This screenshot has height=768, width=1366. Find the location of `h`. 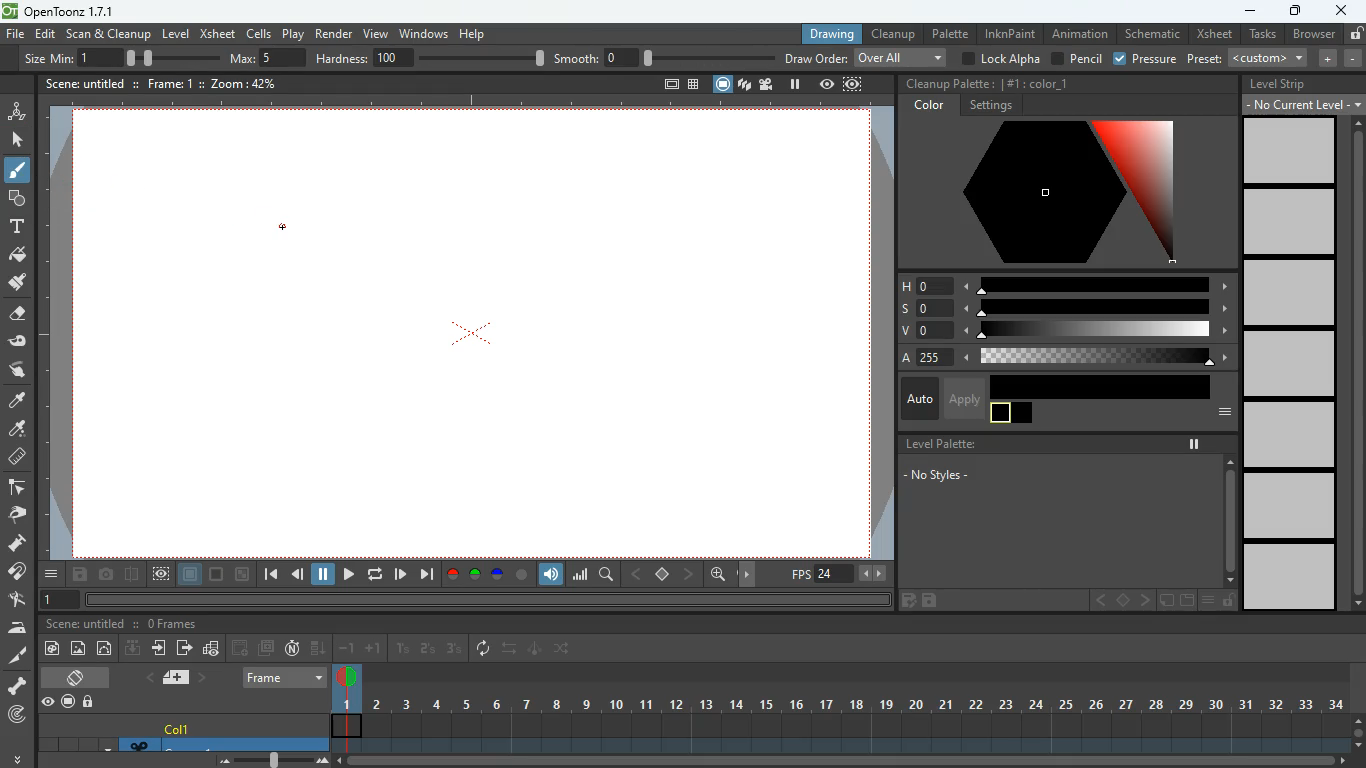

h is located at coordinates (1065, 284).